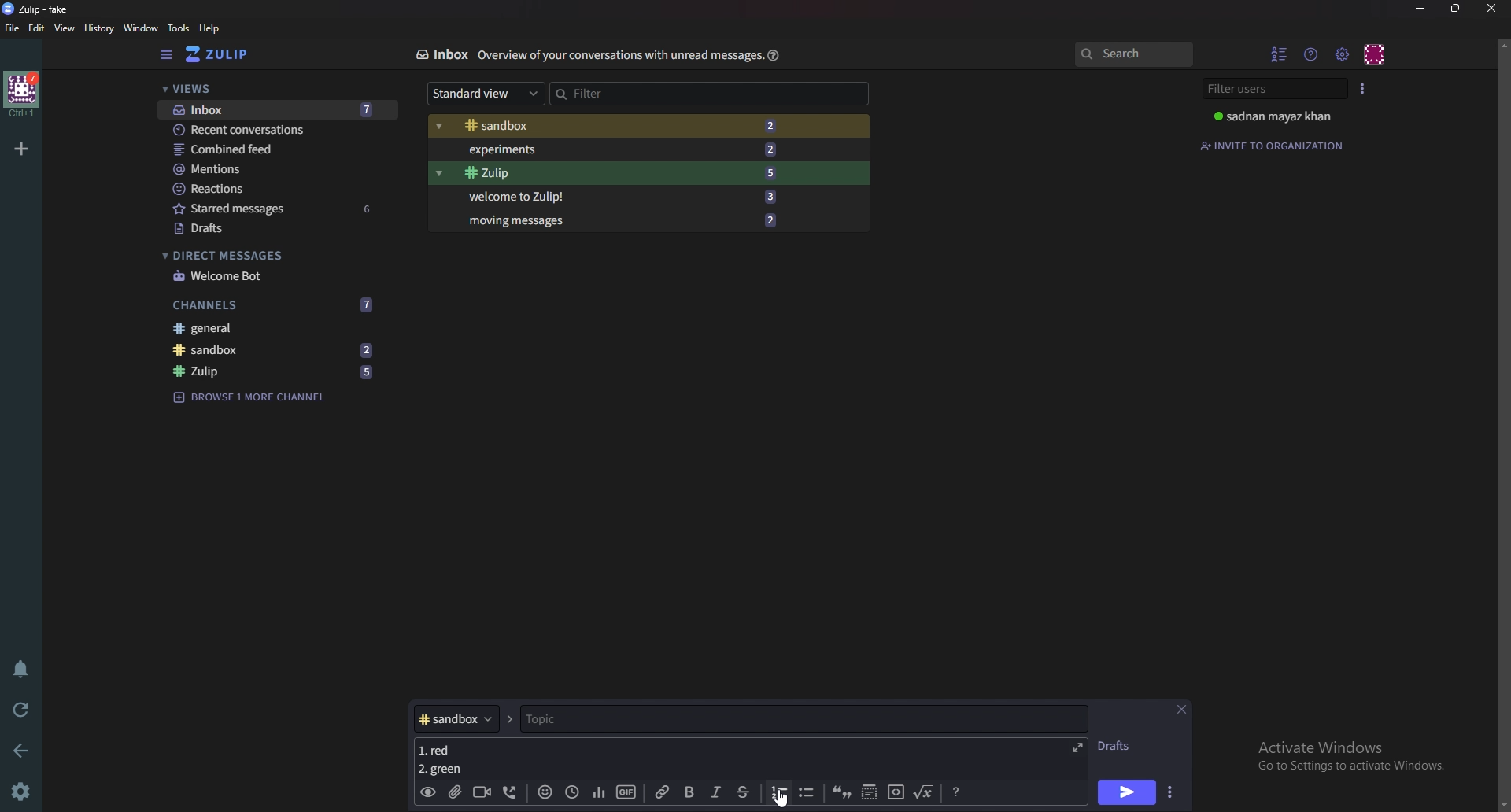 This screenshot has width=1511, height=812. Describe the element at coordinates (209, 29) in the screenshot. I see `help` at that location.